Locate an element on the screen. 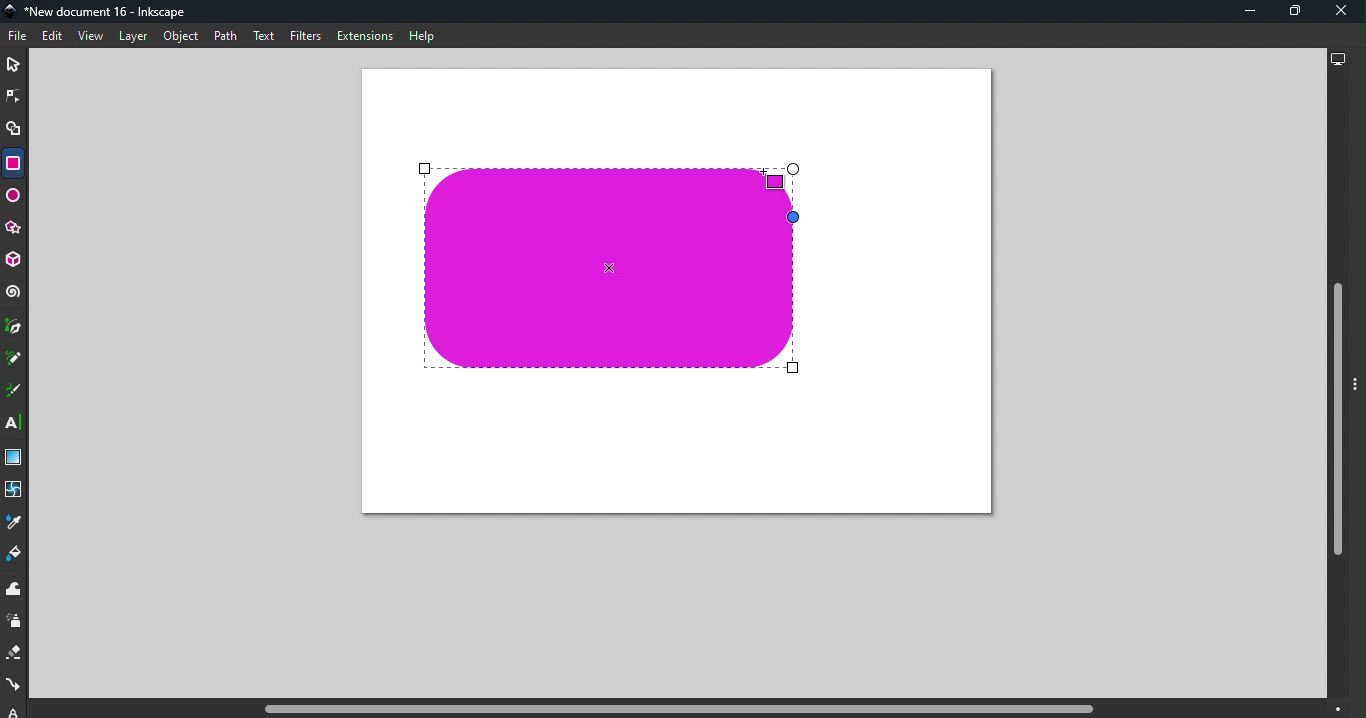 The height and width of the screenshot is (718, 1366). Toggle command panel is located at coordinates (1358, 386).